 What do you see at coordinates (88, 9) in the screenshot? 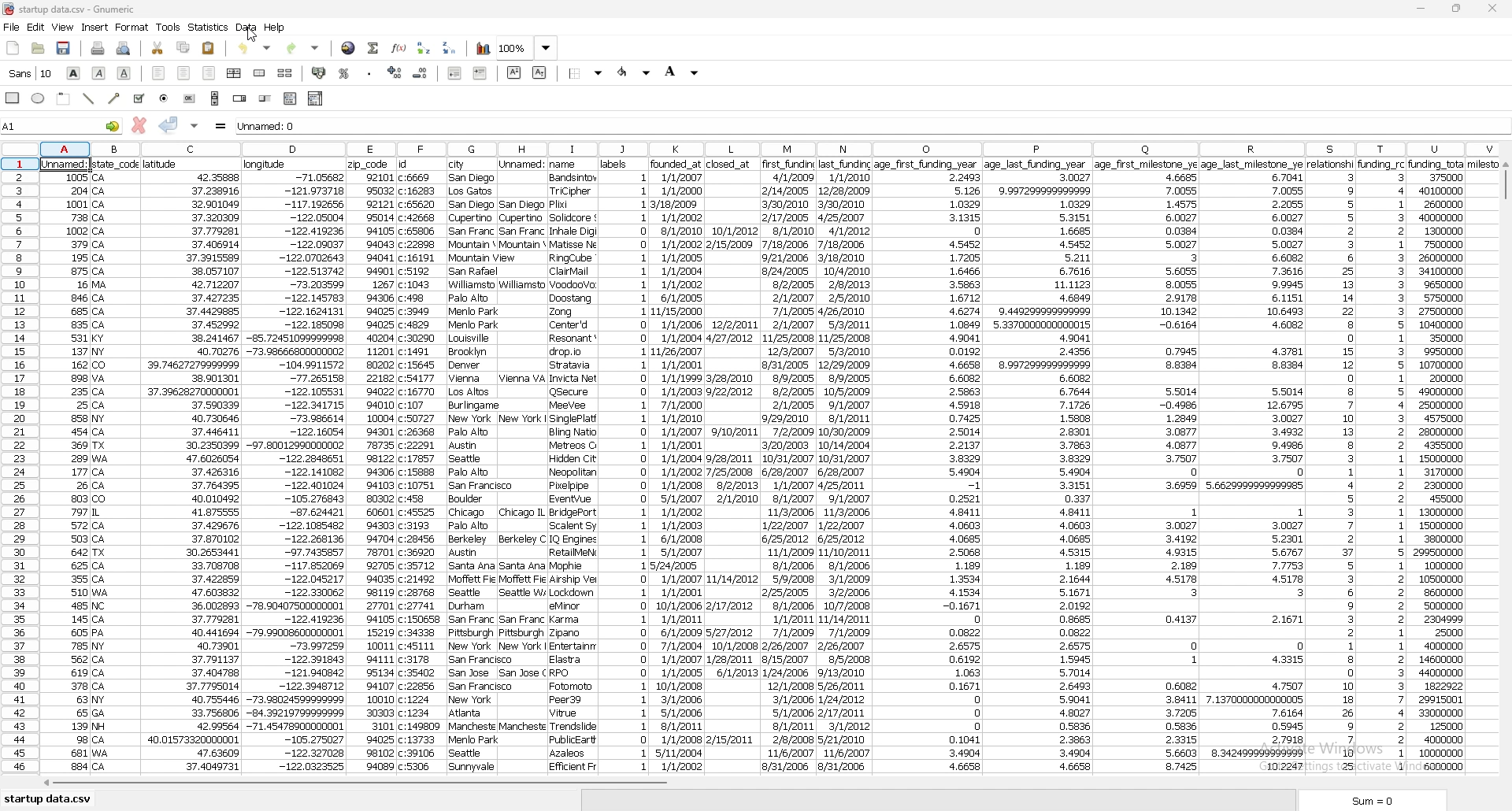
I see `file name` at bounding box center [88, 9].